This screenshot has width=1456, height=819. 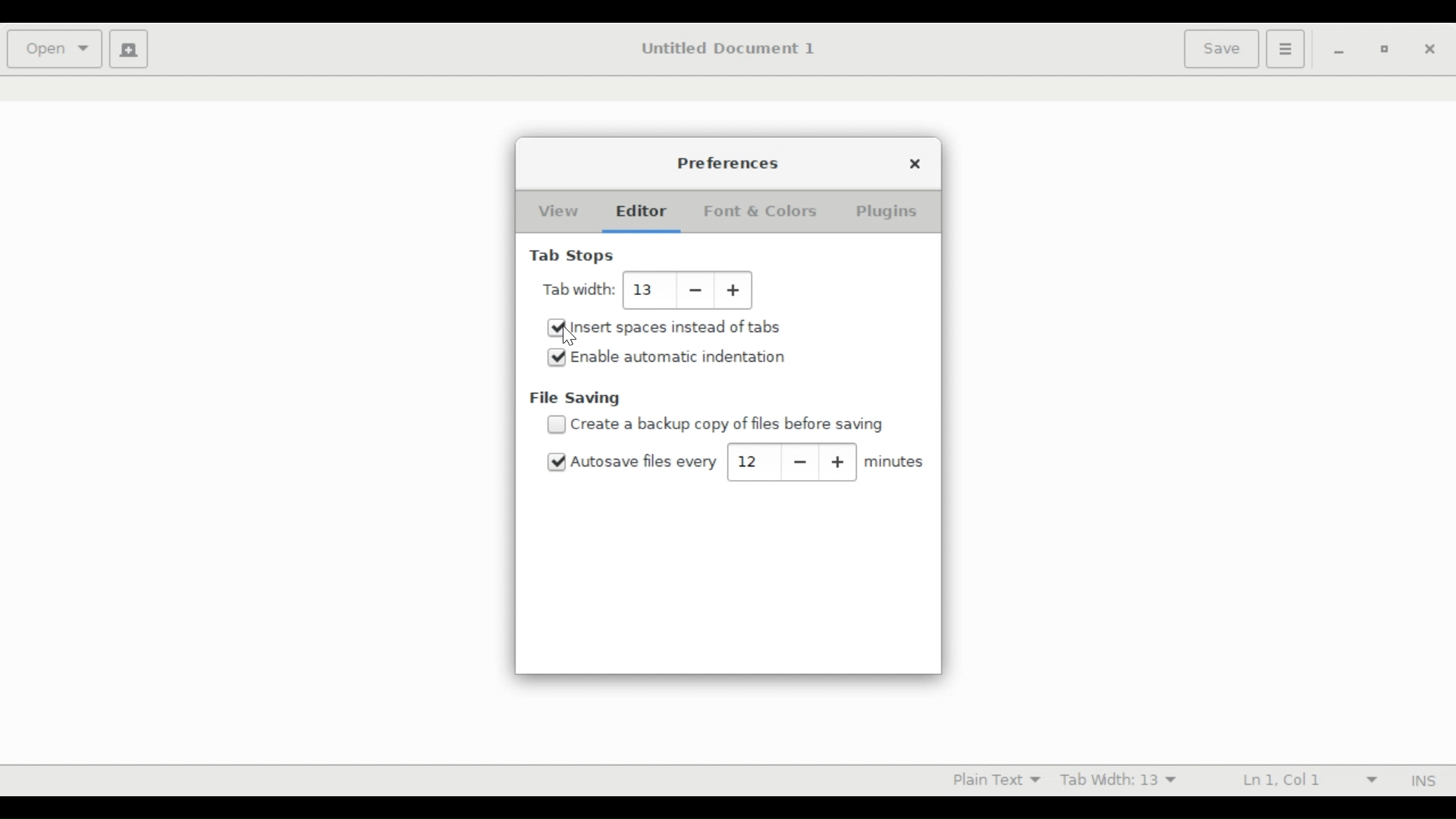 I want to click on Preferences, so click(x=729, y=162).